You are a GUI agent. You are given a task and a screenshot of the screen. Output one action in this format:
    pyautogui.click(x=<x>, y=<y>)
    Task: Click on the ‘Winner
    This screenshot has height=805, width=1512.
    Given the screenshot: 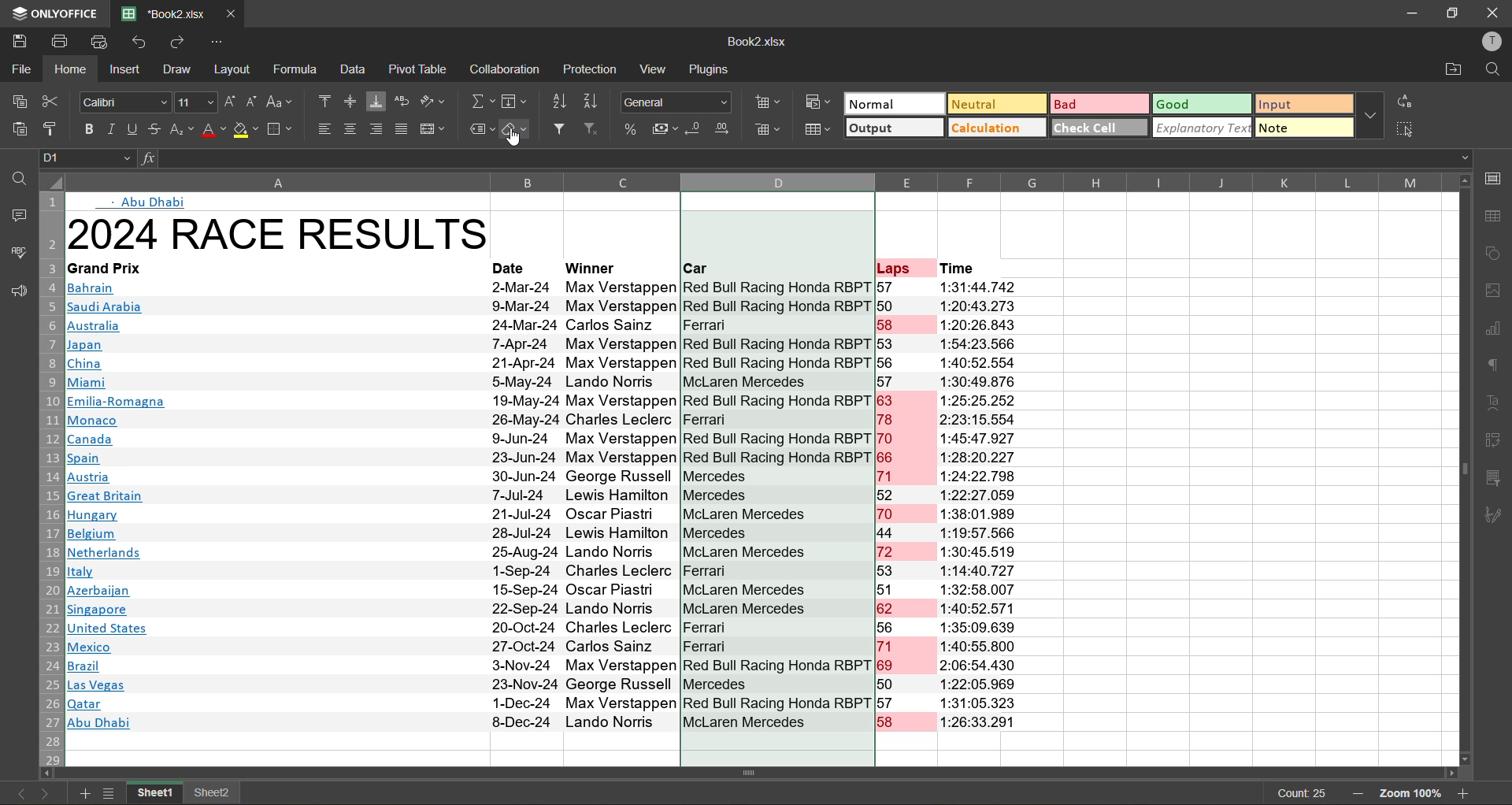 What is the action you would take?
    pyautogui.click(x=589, y=269)
    